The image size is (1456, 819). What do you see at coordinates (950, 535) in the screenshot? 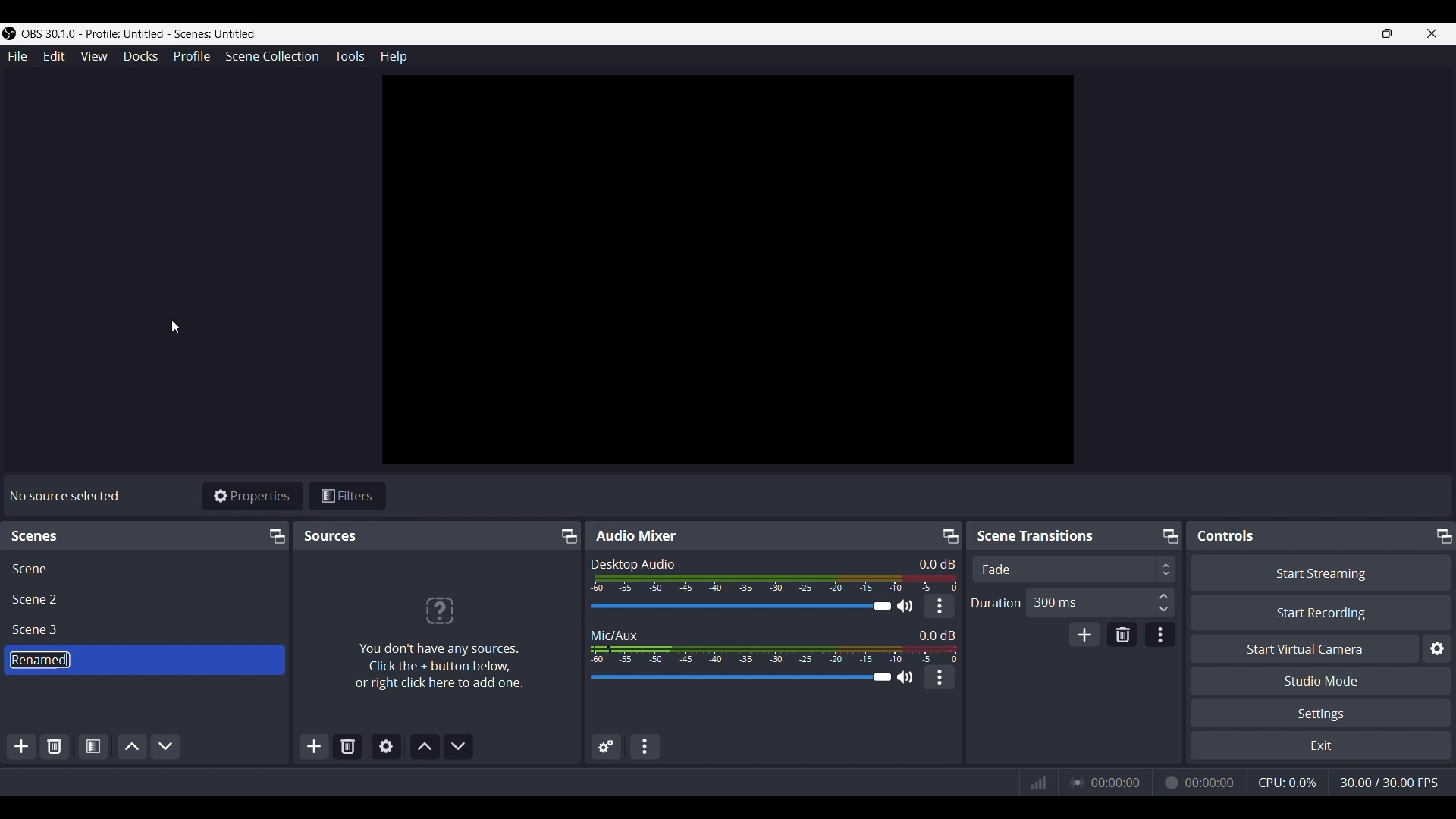
I see ` Undock/Pop-out icon` at bounding box center [950, 535].